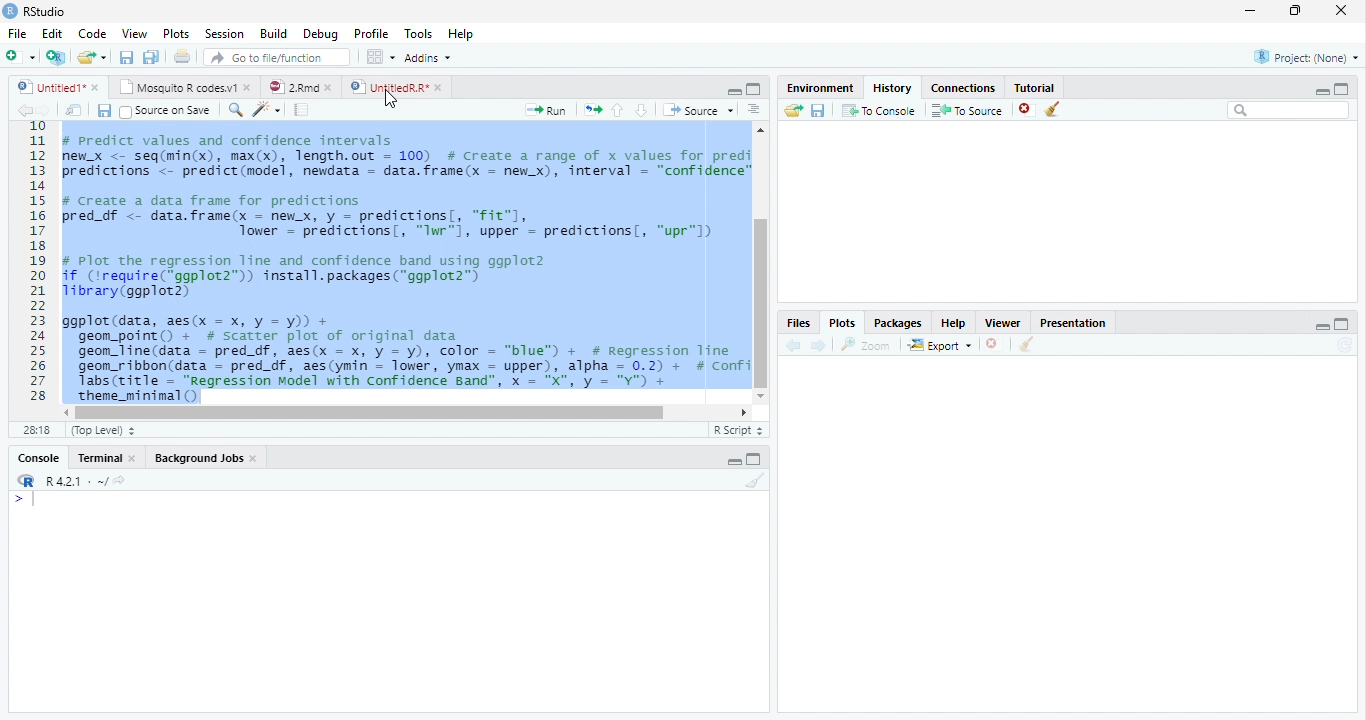  What do you see at coordinates (738, 430) in the screenshot?
I see `R script` at bounding box center [738, 430].